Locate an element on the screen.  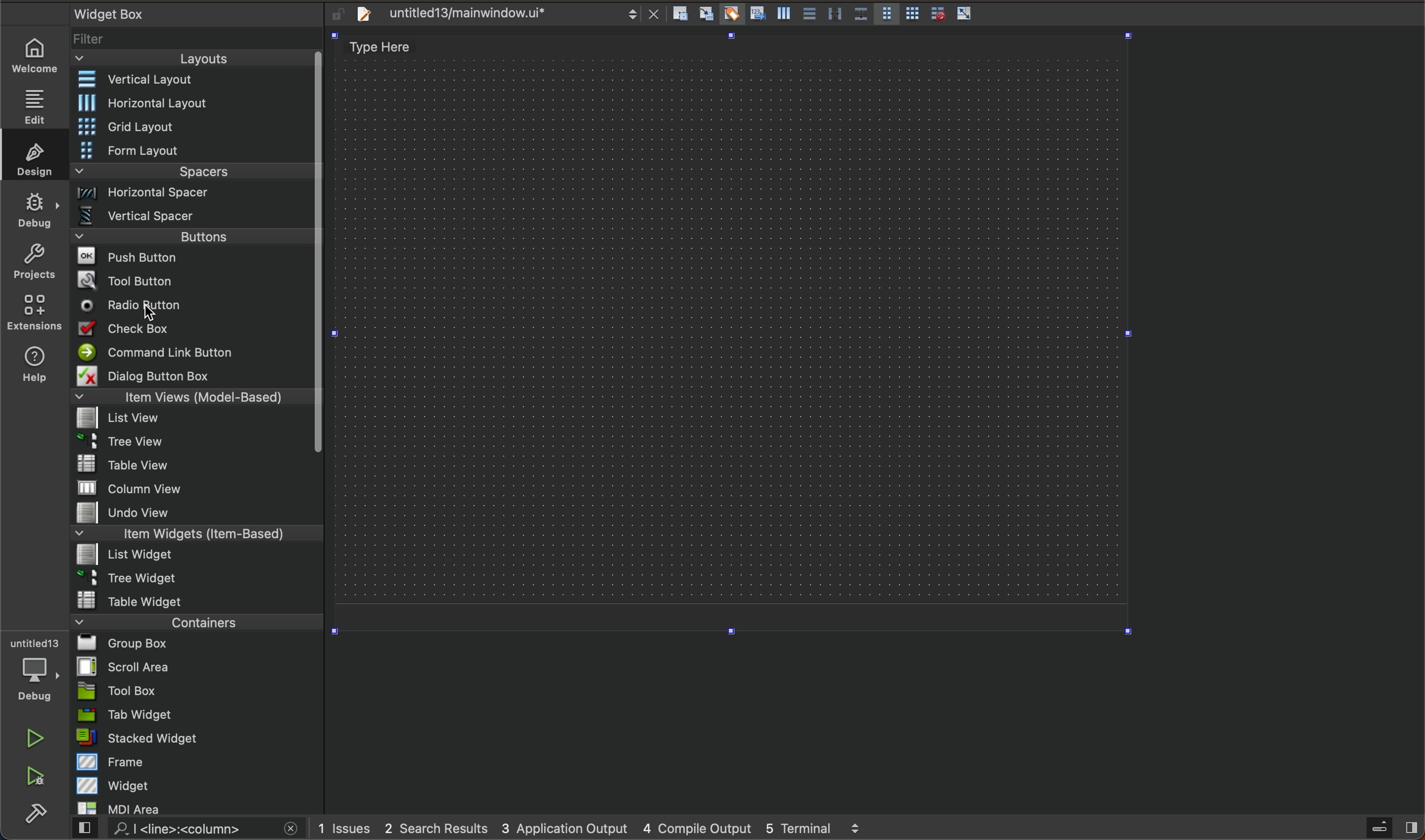
 is located at coordinates (194, 240).